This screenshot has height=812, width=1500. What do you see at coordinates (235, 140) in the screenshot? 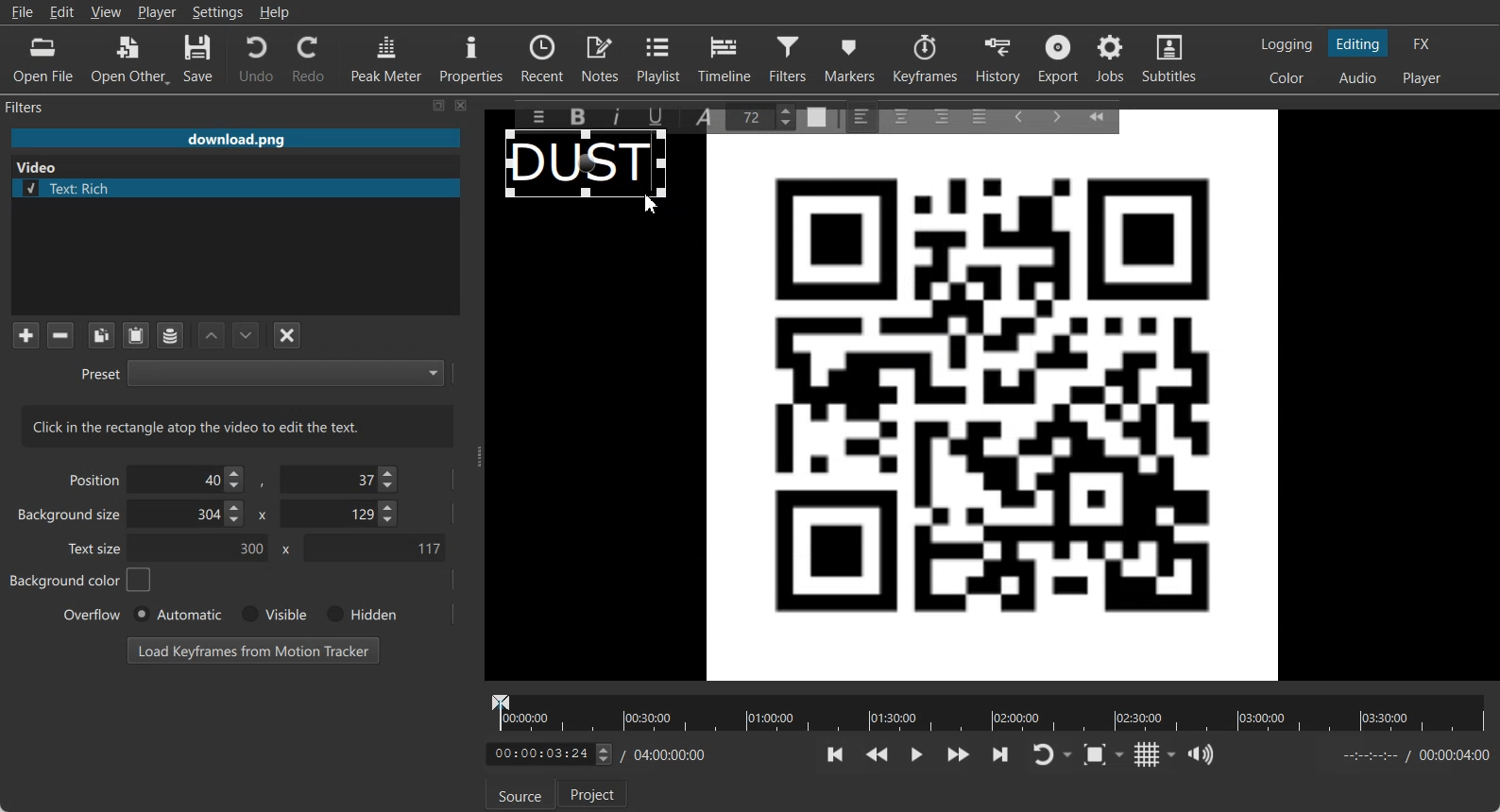
I see `File` at bounding box center [235, 140].